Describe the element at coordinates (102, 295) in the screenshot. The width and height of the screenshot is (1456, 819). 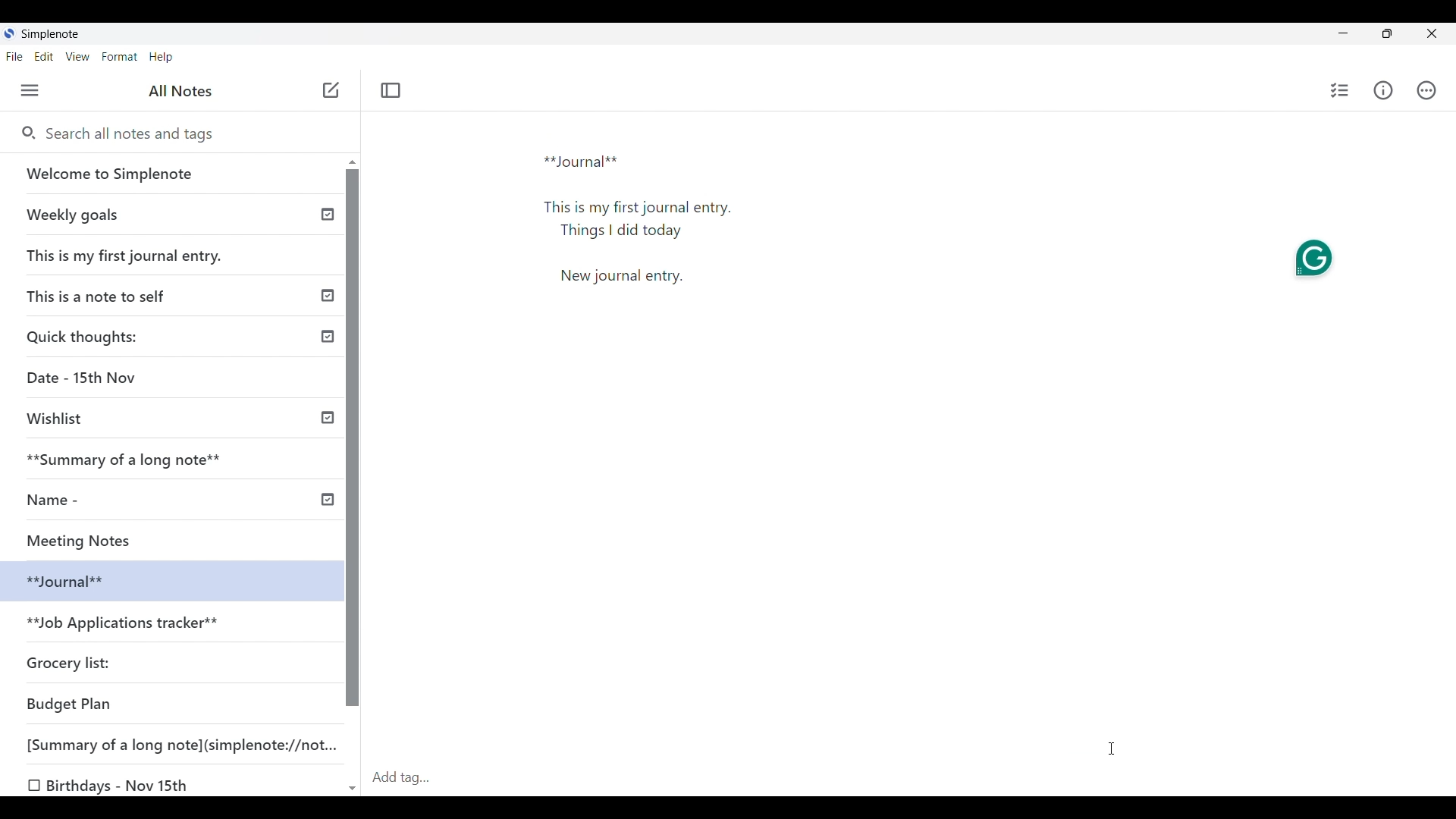
I see `This is a note to self` at that location.